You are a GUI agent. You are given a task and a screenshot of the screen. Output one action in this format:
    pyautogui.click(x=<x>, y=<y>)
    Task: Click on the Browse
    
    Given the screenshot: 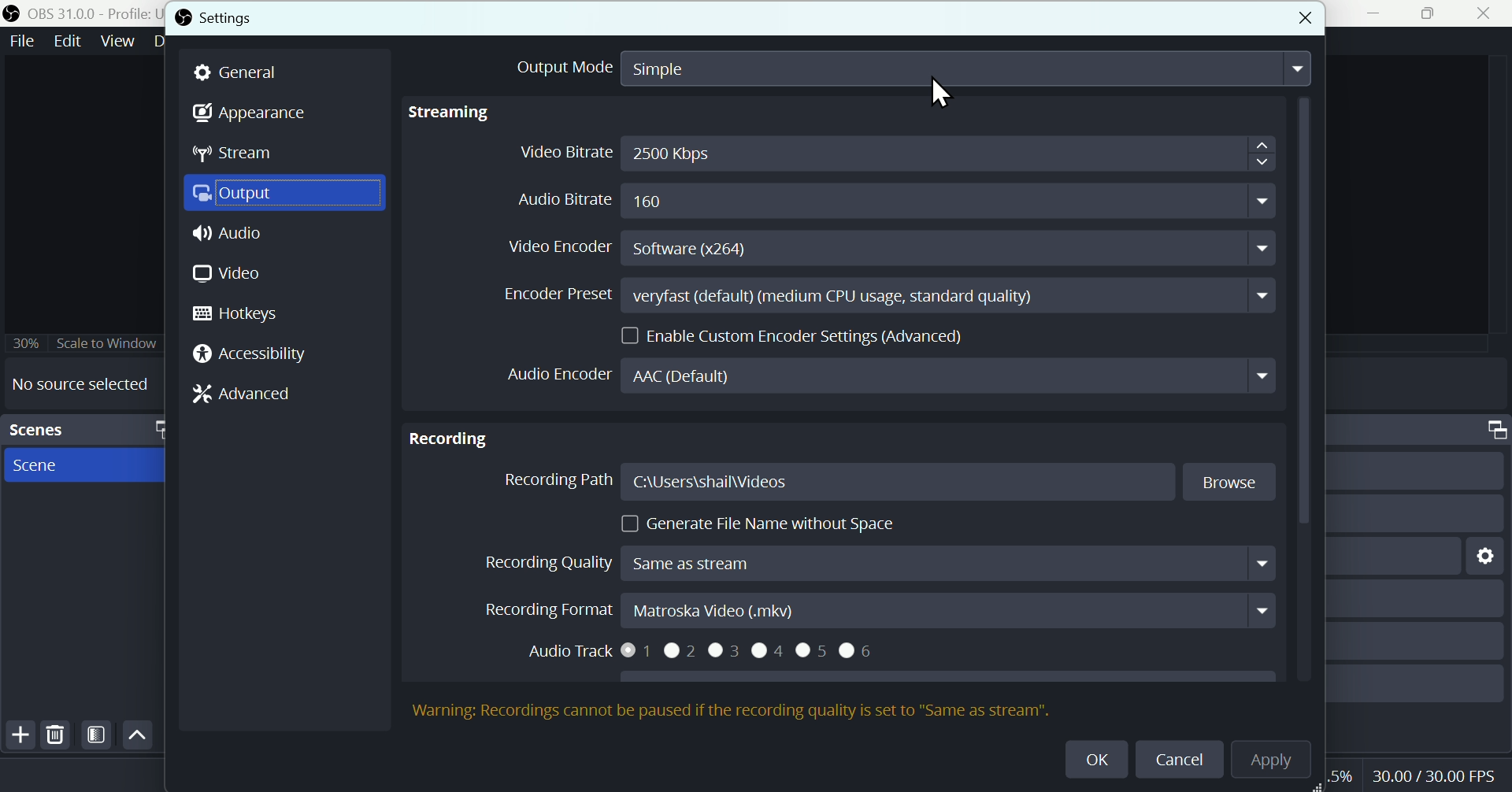 What is the action you would take?
    pyautogui.click(x=1224, y=483)
    